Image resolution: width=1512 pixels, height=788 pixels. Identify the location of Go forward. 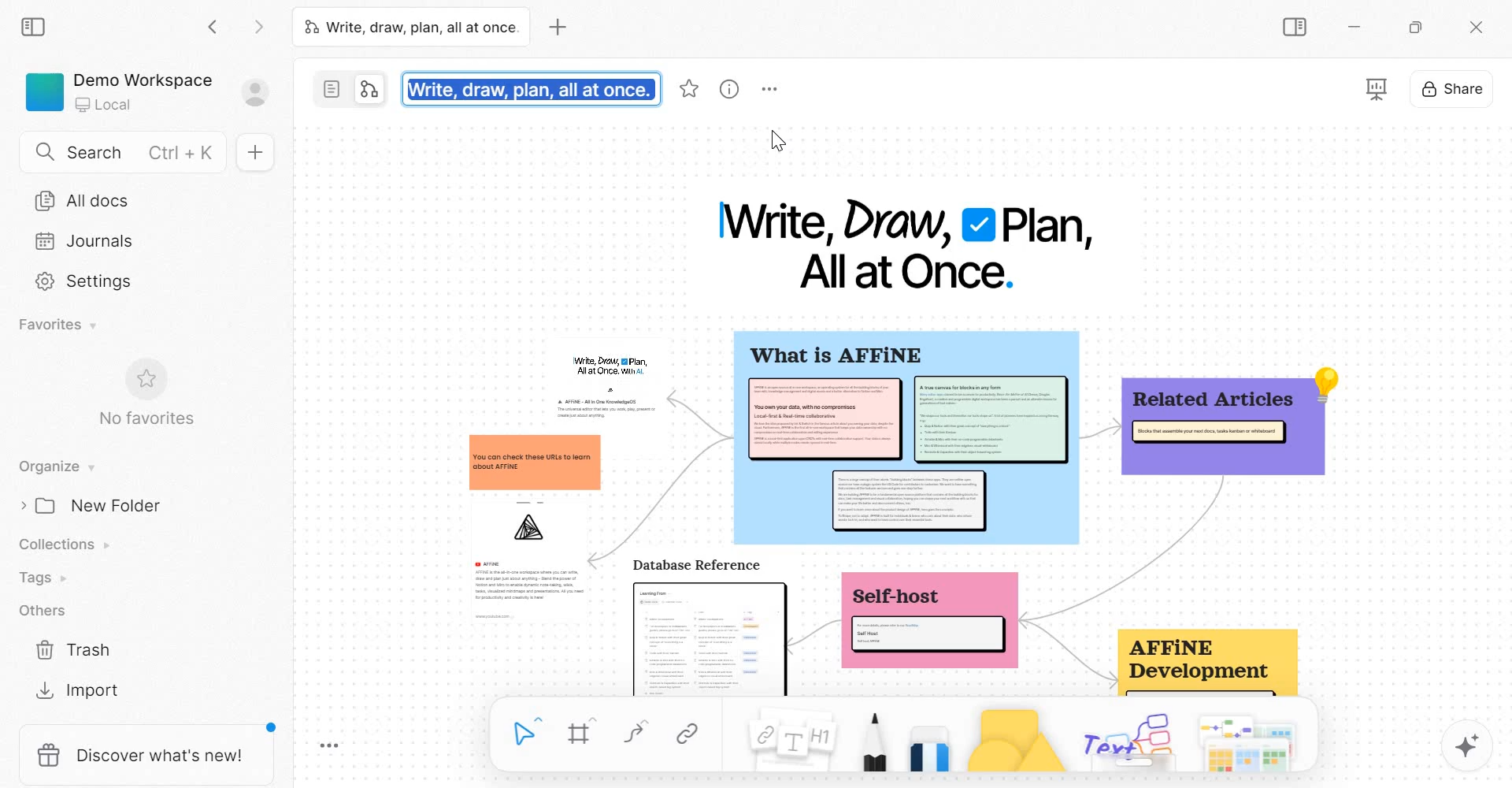
(254, 31).